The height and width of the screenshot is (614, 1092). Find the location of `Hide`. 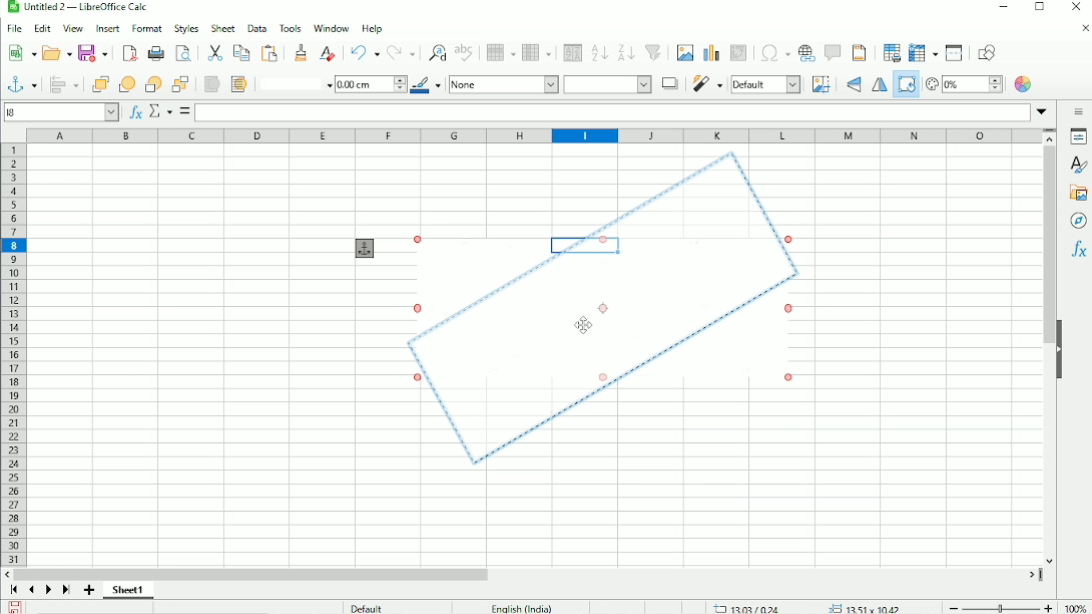

Hide is located at coordinates (1061, 348).